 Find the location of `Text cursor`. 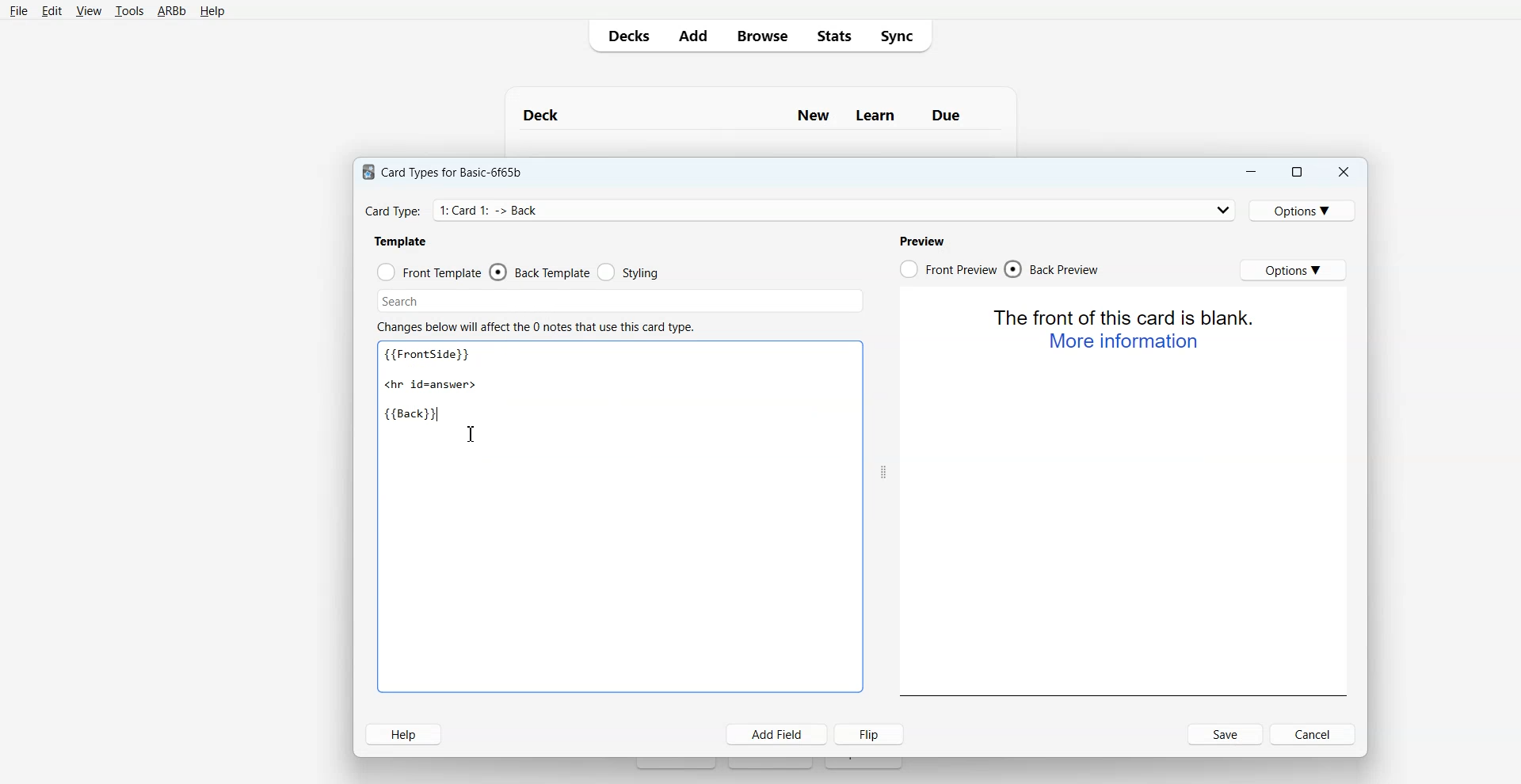

Text cursor is located at coordinates (474, 436).